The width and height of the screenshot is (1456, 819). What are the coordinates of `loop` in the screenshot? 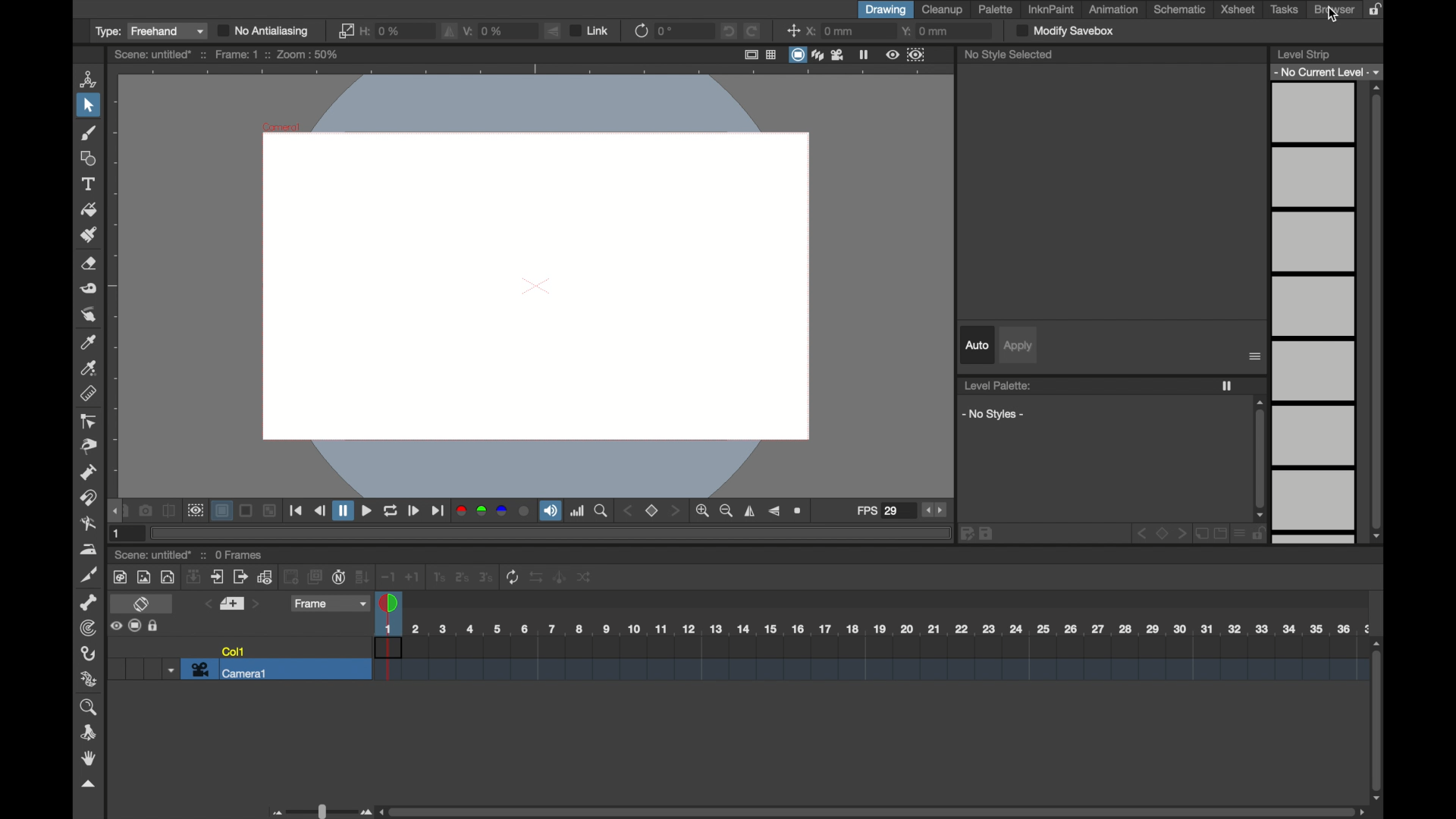 It's located at (391, 511).